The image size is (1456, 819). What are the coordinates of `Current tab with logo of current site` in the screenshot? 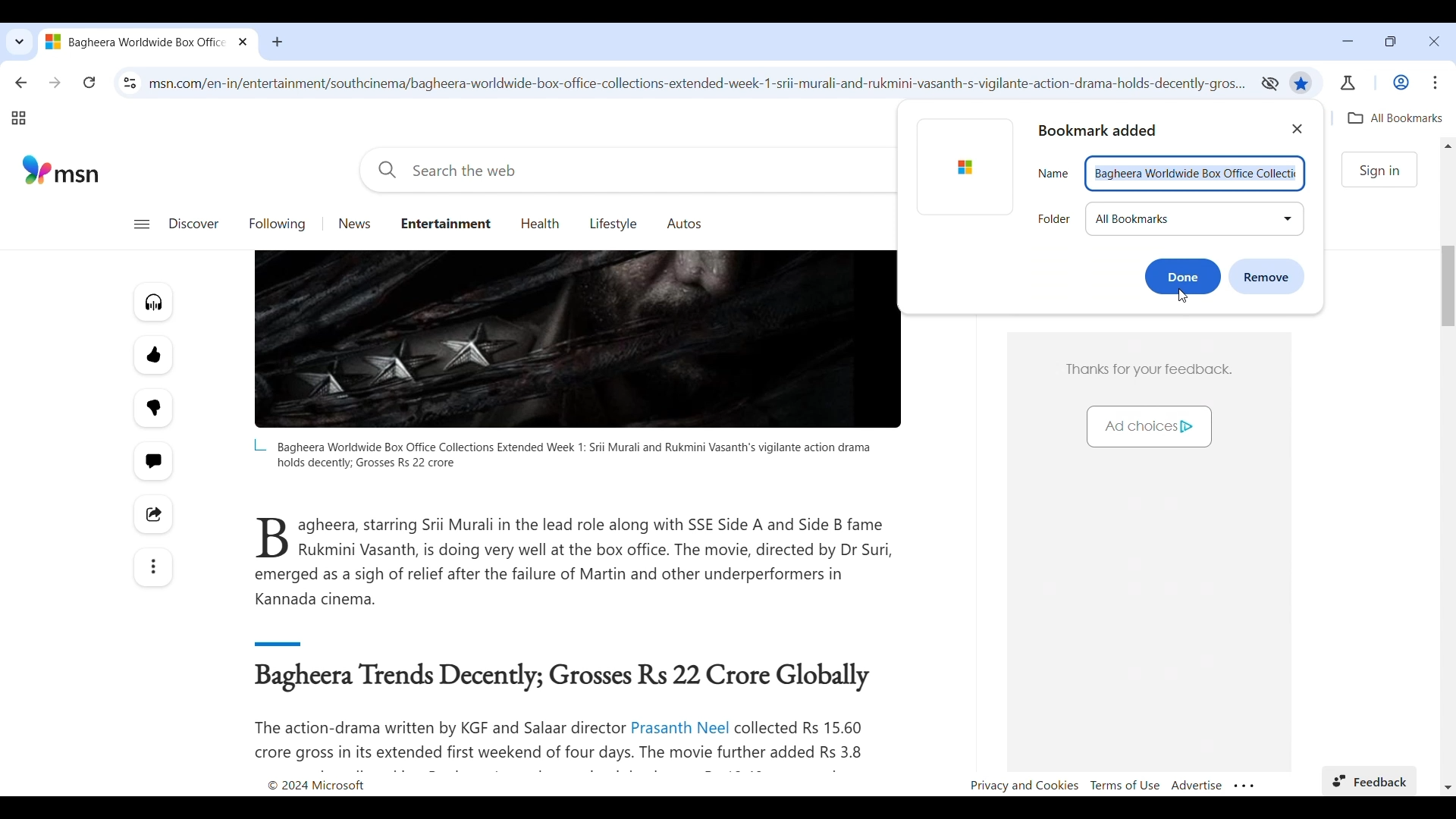 It's located at (136, 41).